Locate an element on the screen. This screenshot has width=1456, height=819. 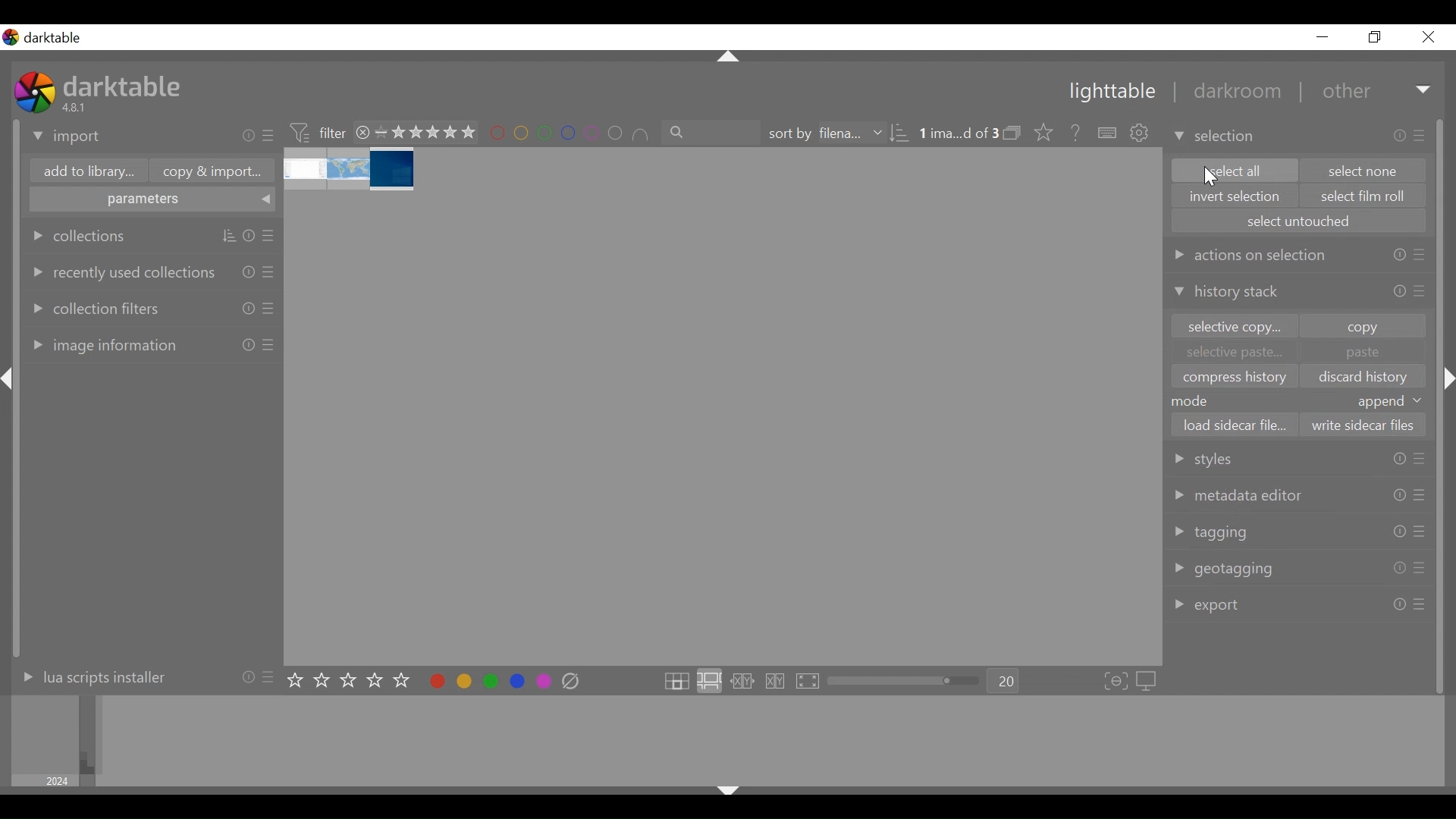
zoom is located at coordinates (904, 681).